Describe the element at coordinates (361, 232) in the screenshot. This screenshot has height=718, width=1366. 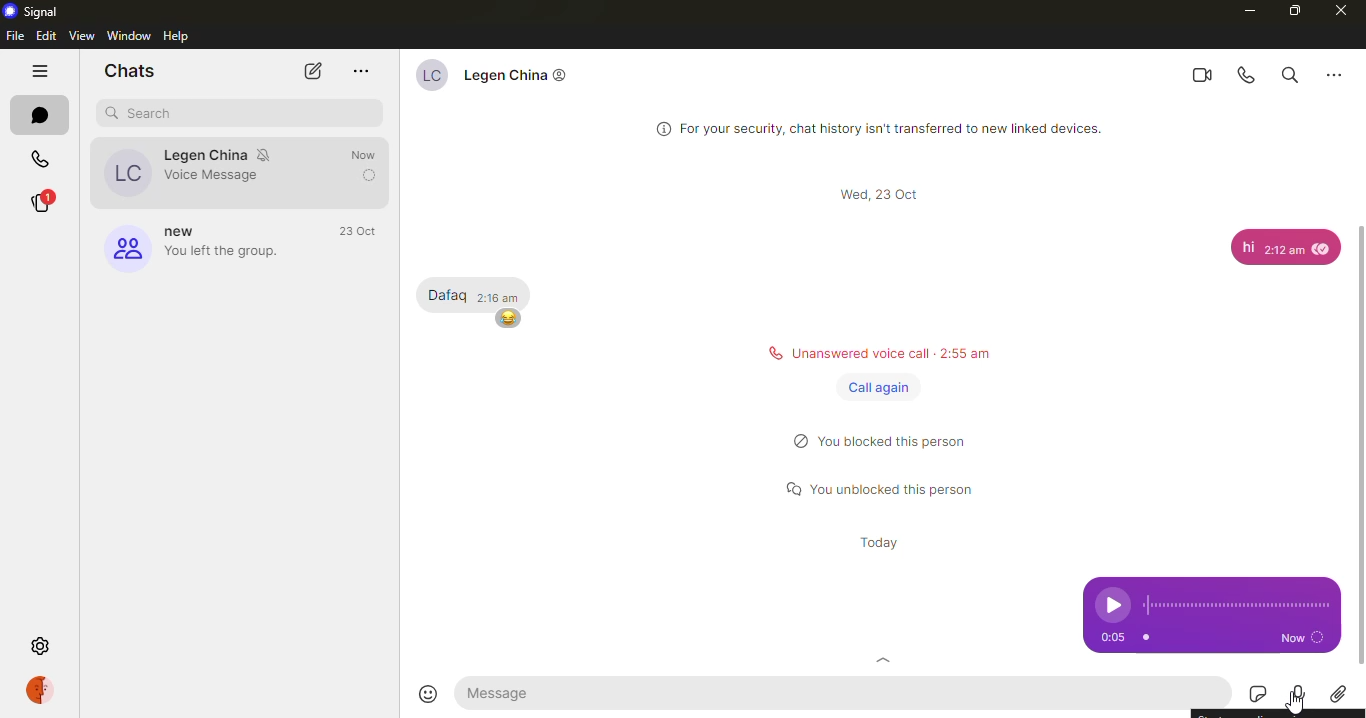
I see `time` at that location.